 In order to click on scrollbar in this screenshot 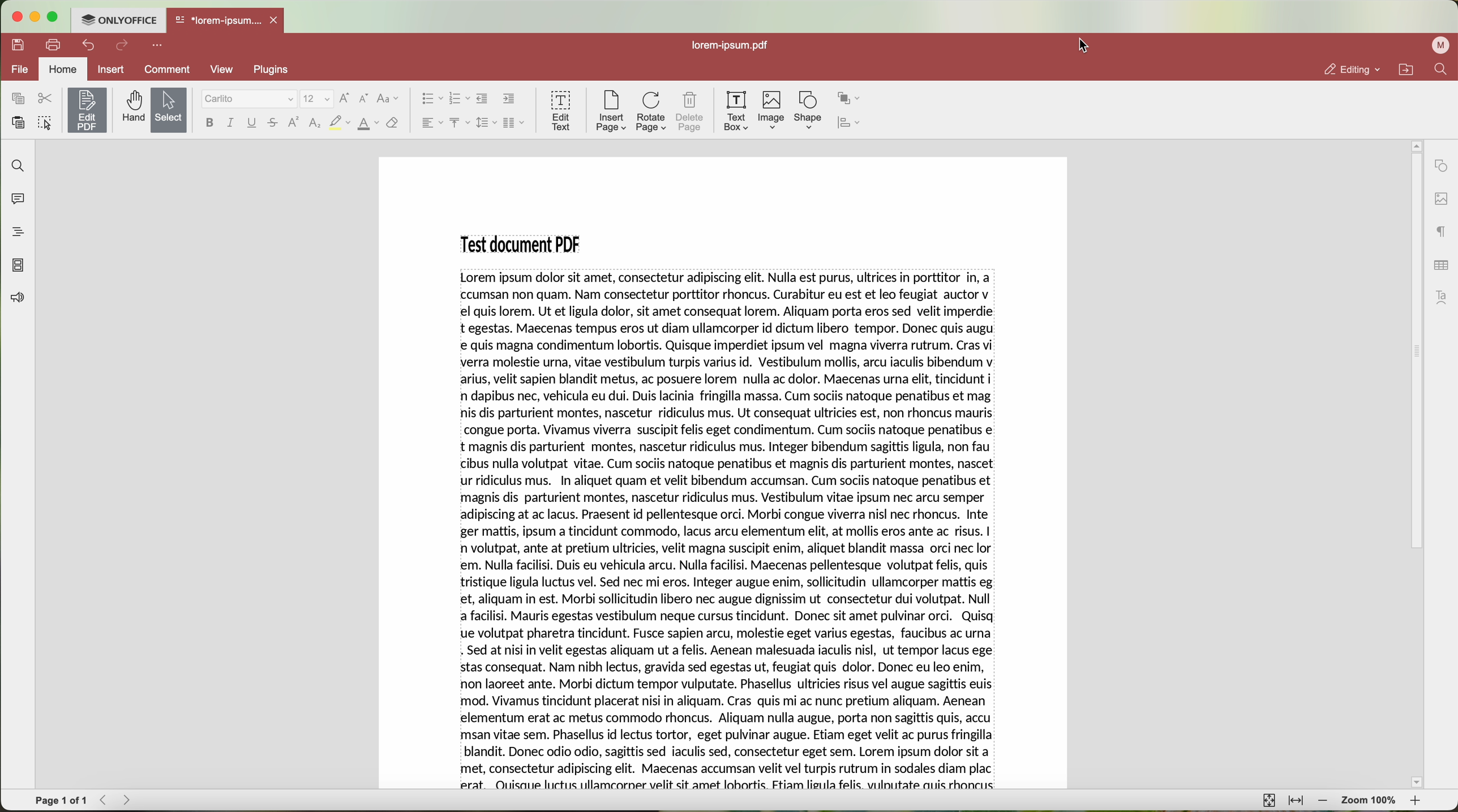, I will do `click(1413, 460)`.